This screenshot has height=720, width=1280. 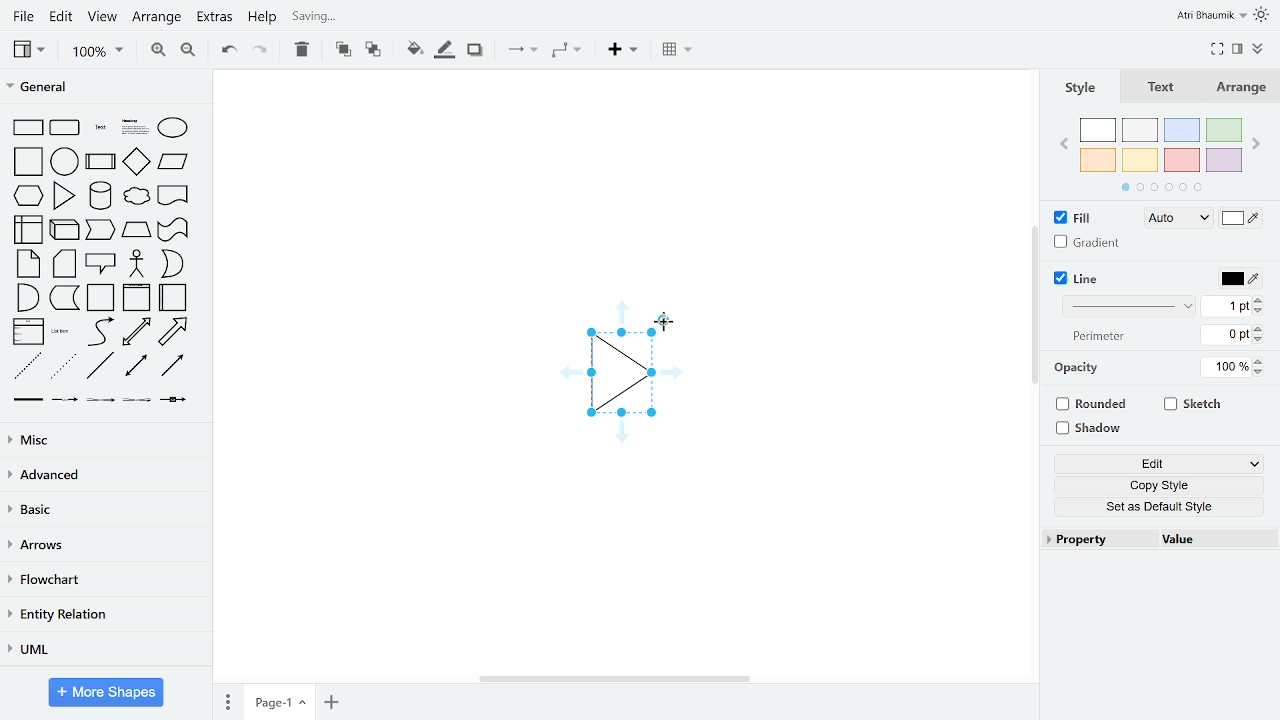 What do you see at coordinates (1082, 218) in the screenshot?
I see `fill` at bounding box center [1082, 218].